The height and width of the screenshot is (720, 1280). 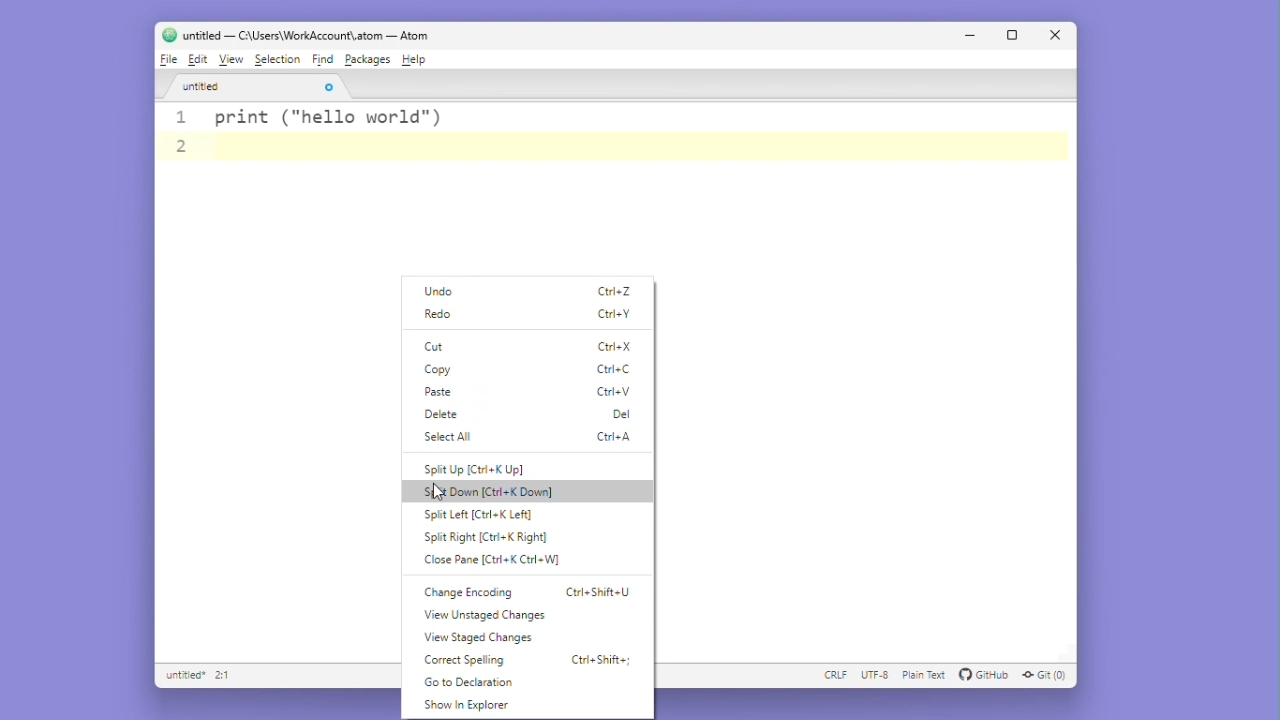 What do you see at coordinates (600, 657) in the screenshot?
I see `ctrl+shift+;` at bounding box center [600, 657].